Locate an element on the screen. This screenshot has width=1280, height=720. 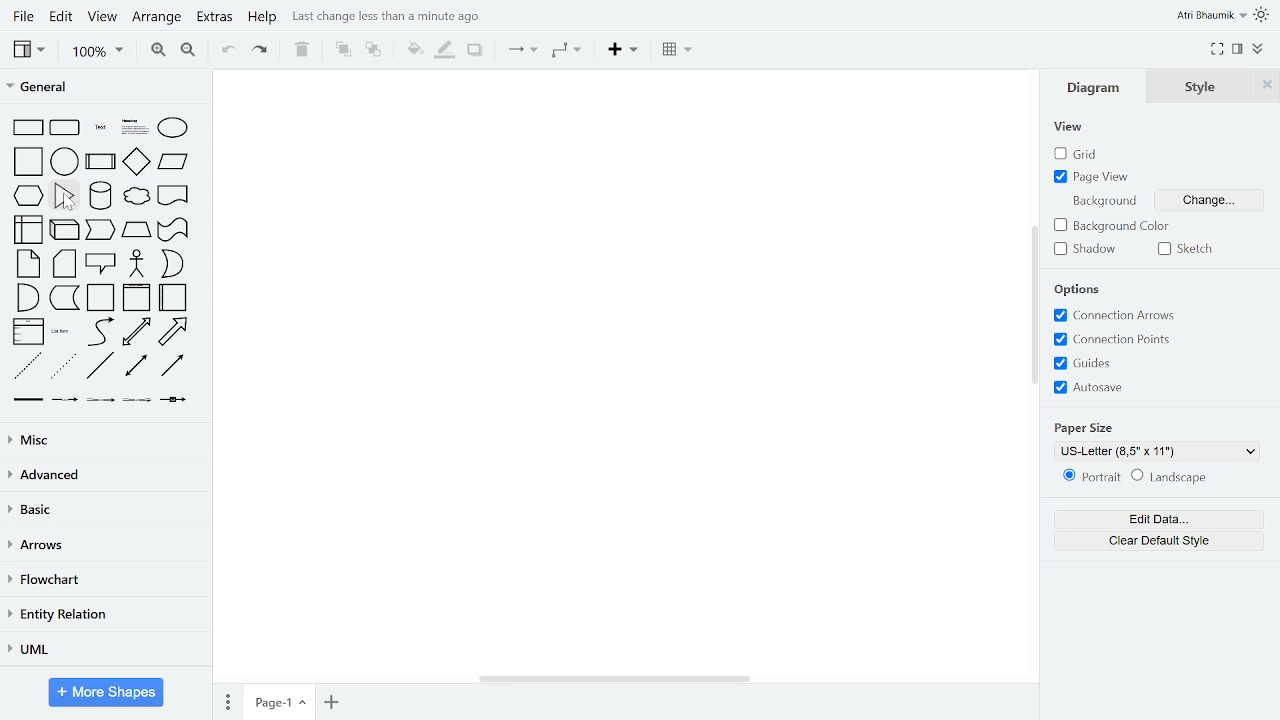
heading is located at coordinates (133, 128).